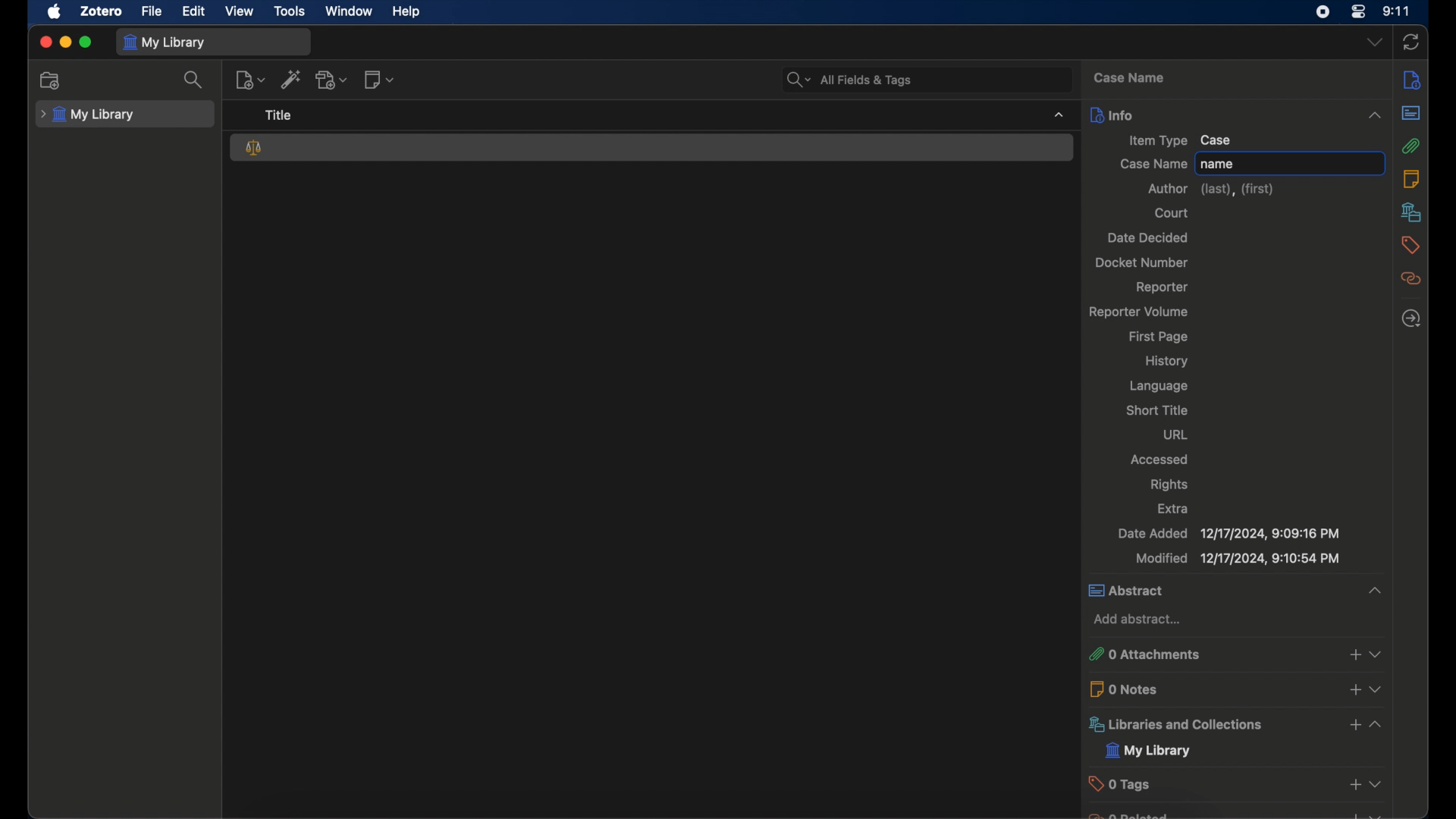  Describe the element at coordinates (86, 42) in the screenshot. I see `maximize` at that location.